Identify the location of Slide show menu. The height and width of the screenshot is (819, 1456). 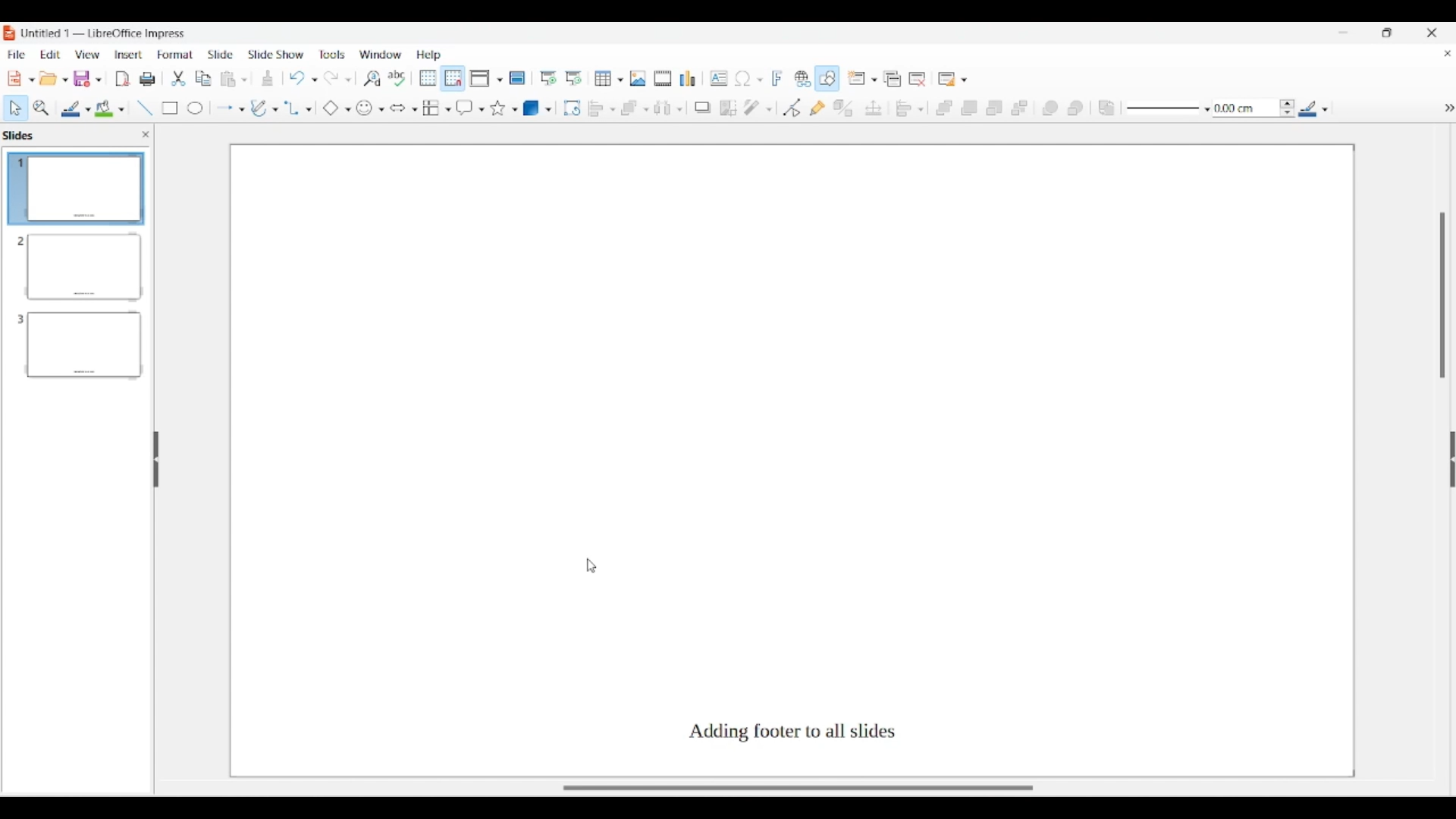
(275, 55).